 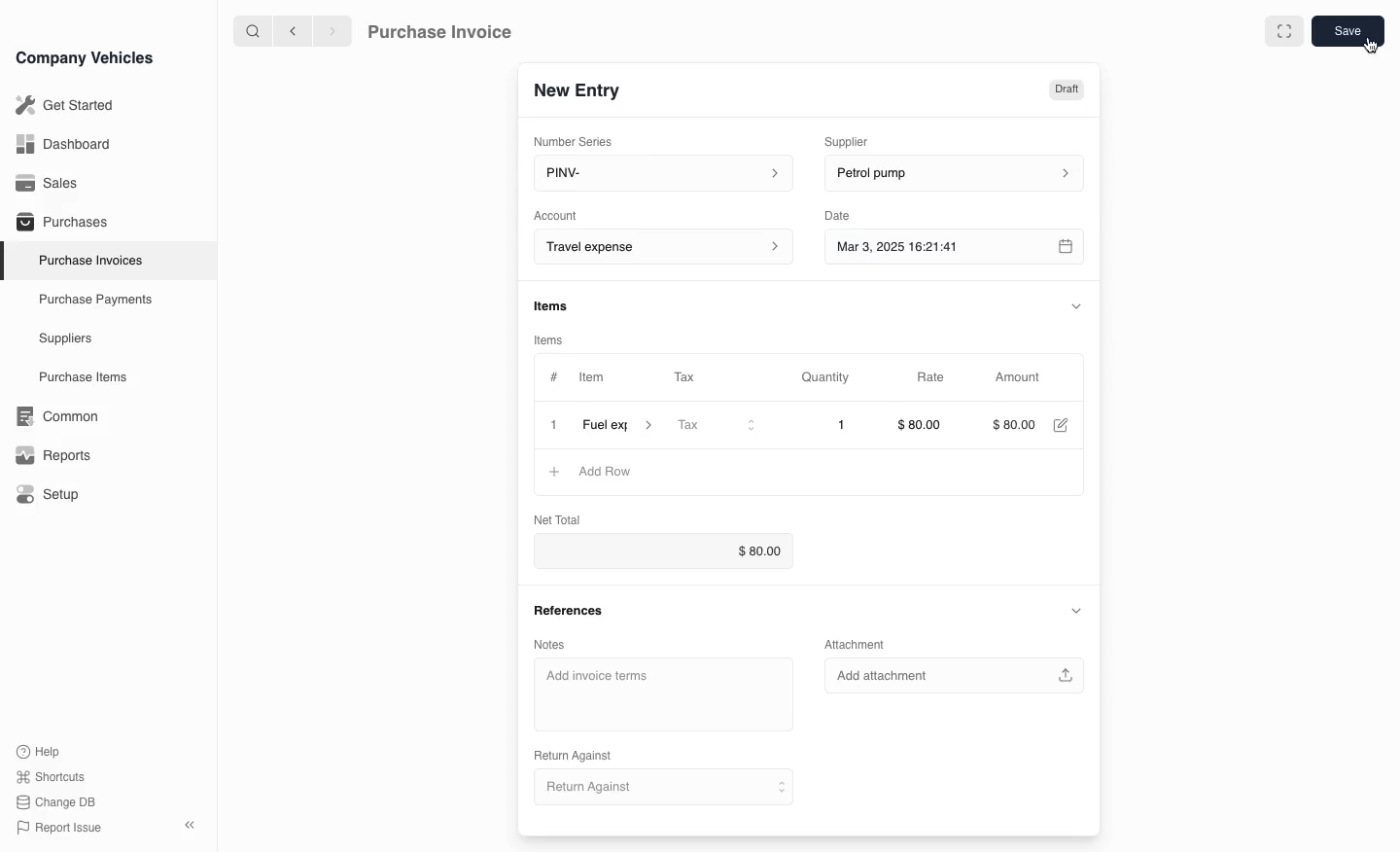 What do you see at coordinates (554, 518) in the screenshot?
I see `Net Total` at bounding box center [554, 518].